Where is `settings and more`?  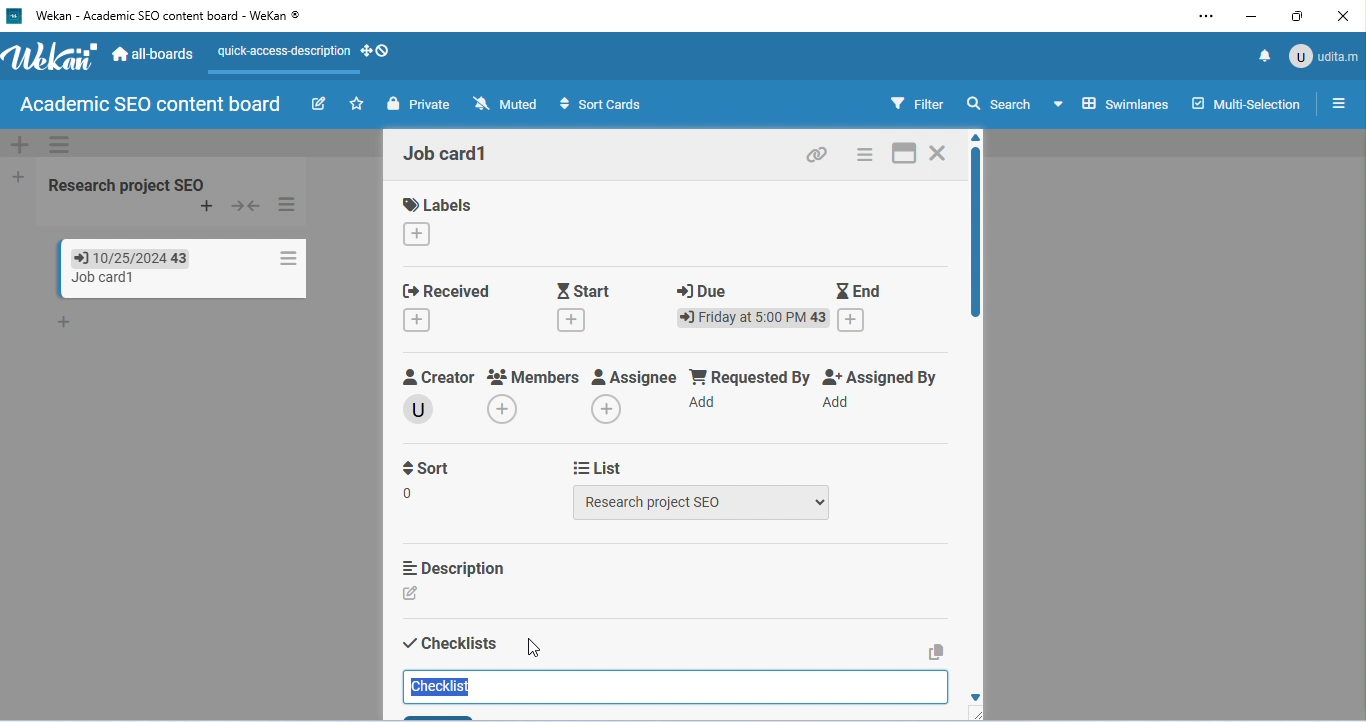
settings and more is located at coordinates (1205, 18).